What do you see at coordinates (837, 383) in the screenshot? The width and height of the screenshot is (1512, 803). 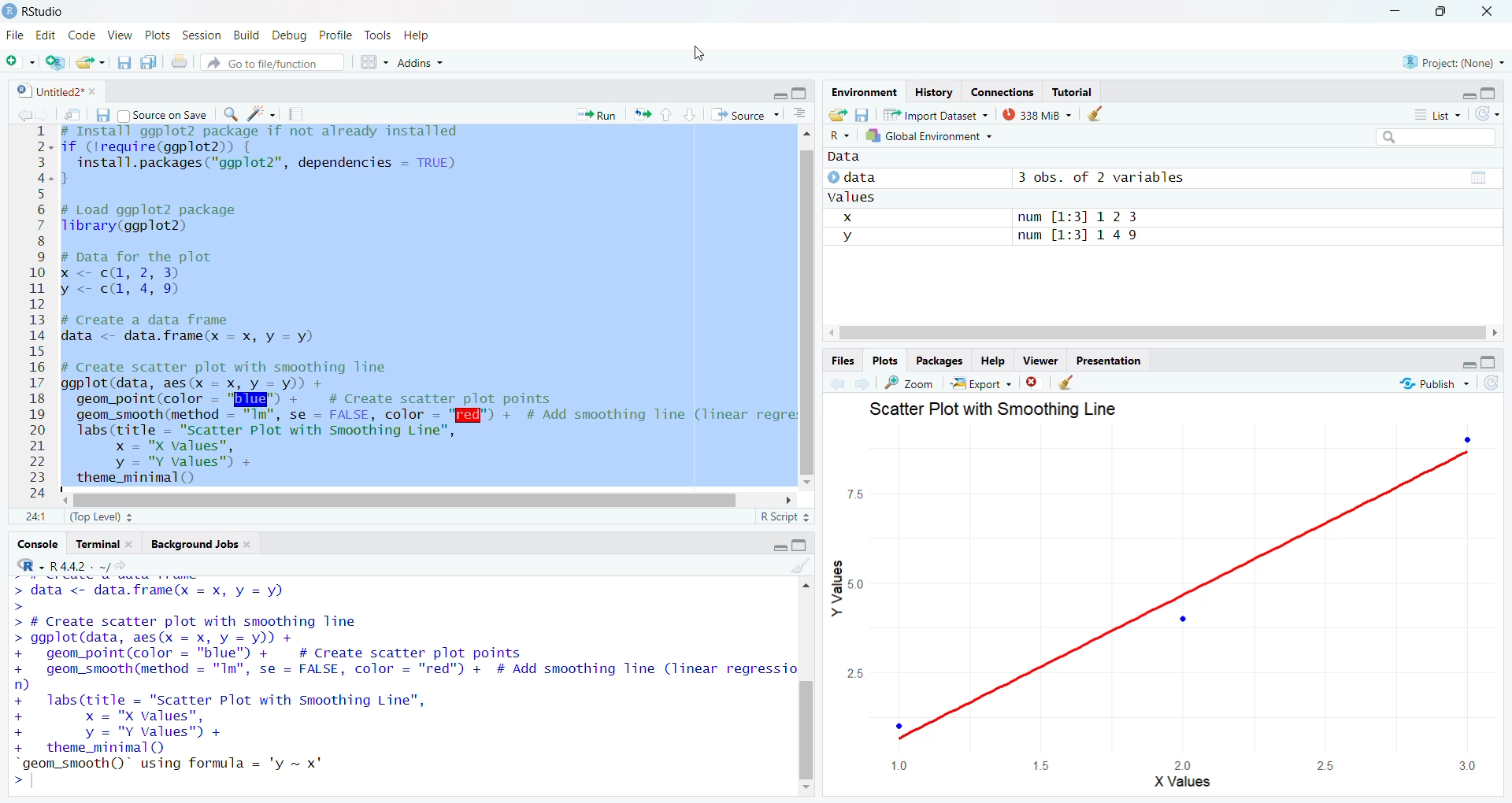 I see `go back` at bounding box center [837, 383].